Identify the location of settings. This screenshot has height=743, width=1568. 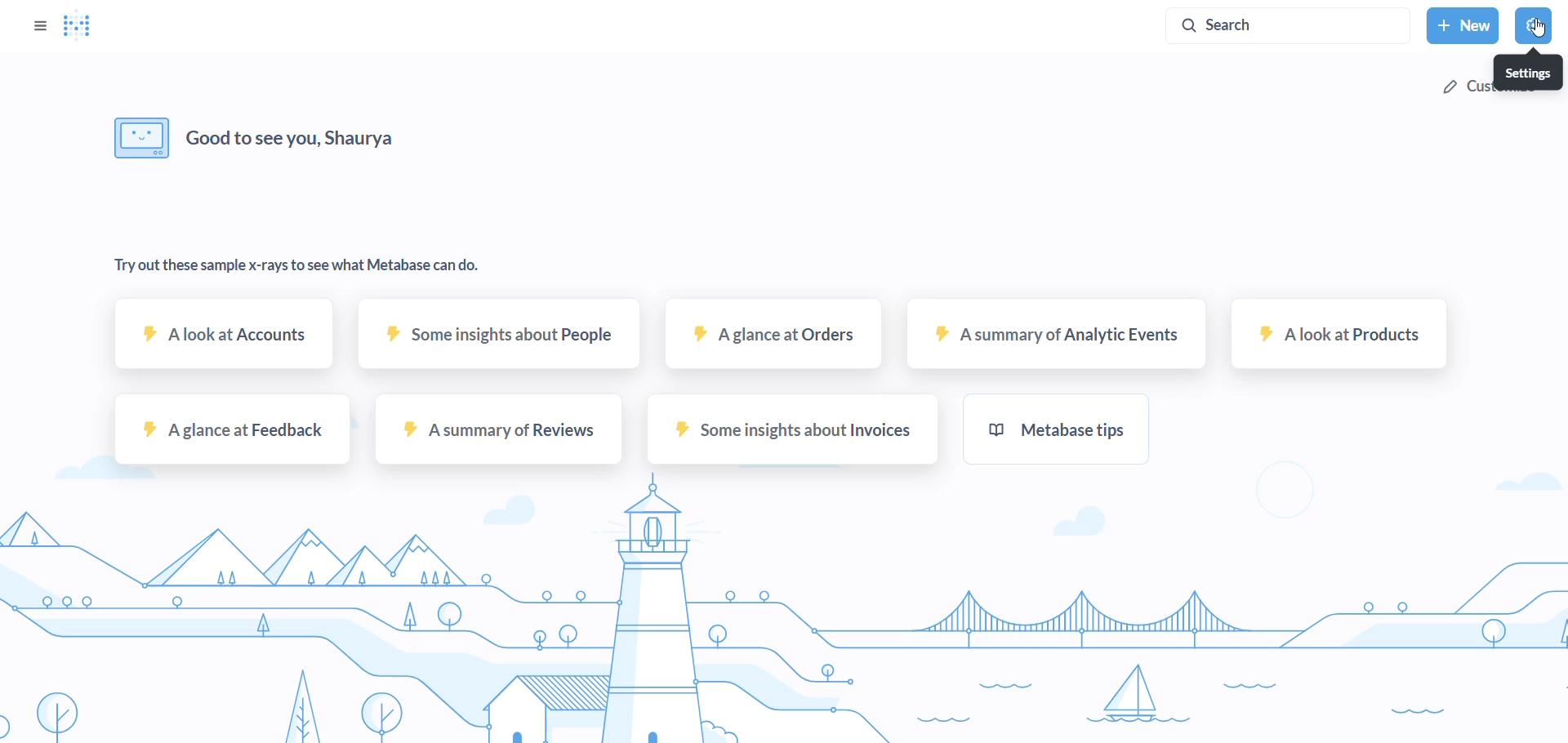
(1535, 26).